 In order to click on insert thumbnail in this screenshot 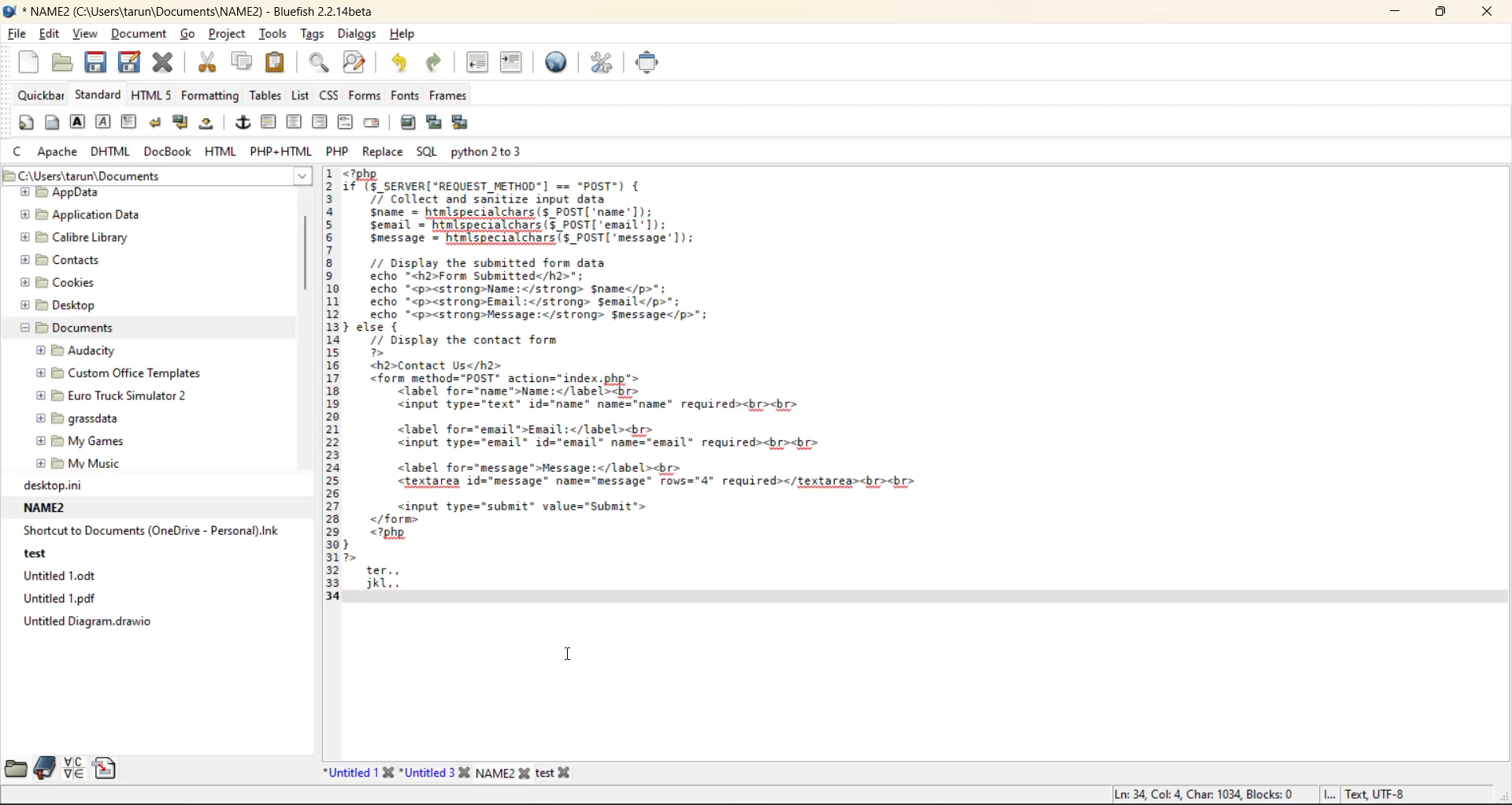, I will do `click(432, 120)`.